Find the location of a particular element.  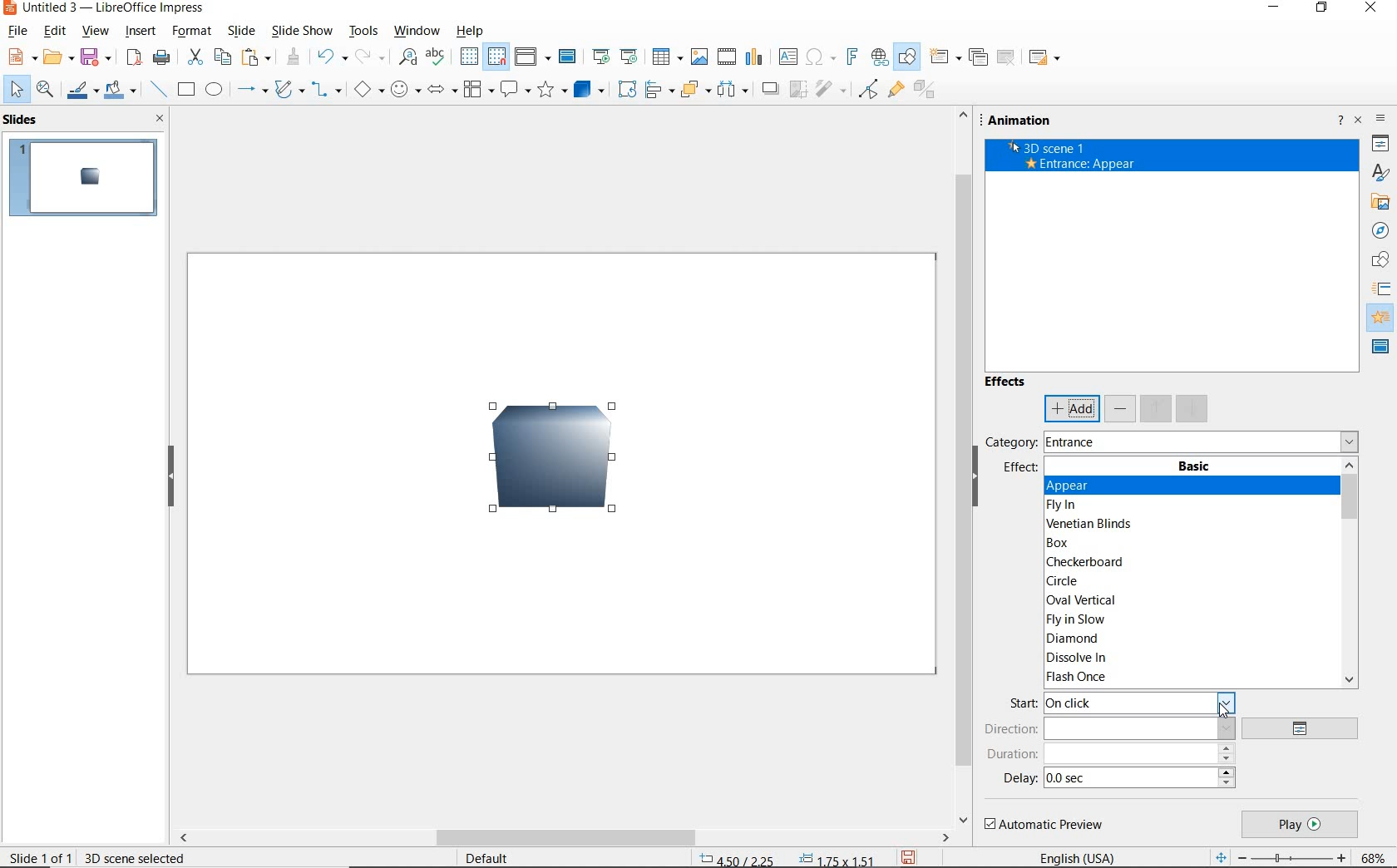

DISSOLVE IN is located at coordinates (1079, 659).